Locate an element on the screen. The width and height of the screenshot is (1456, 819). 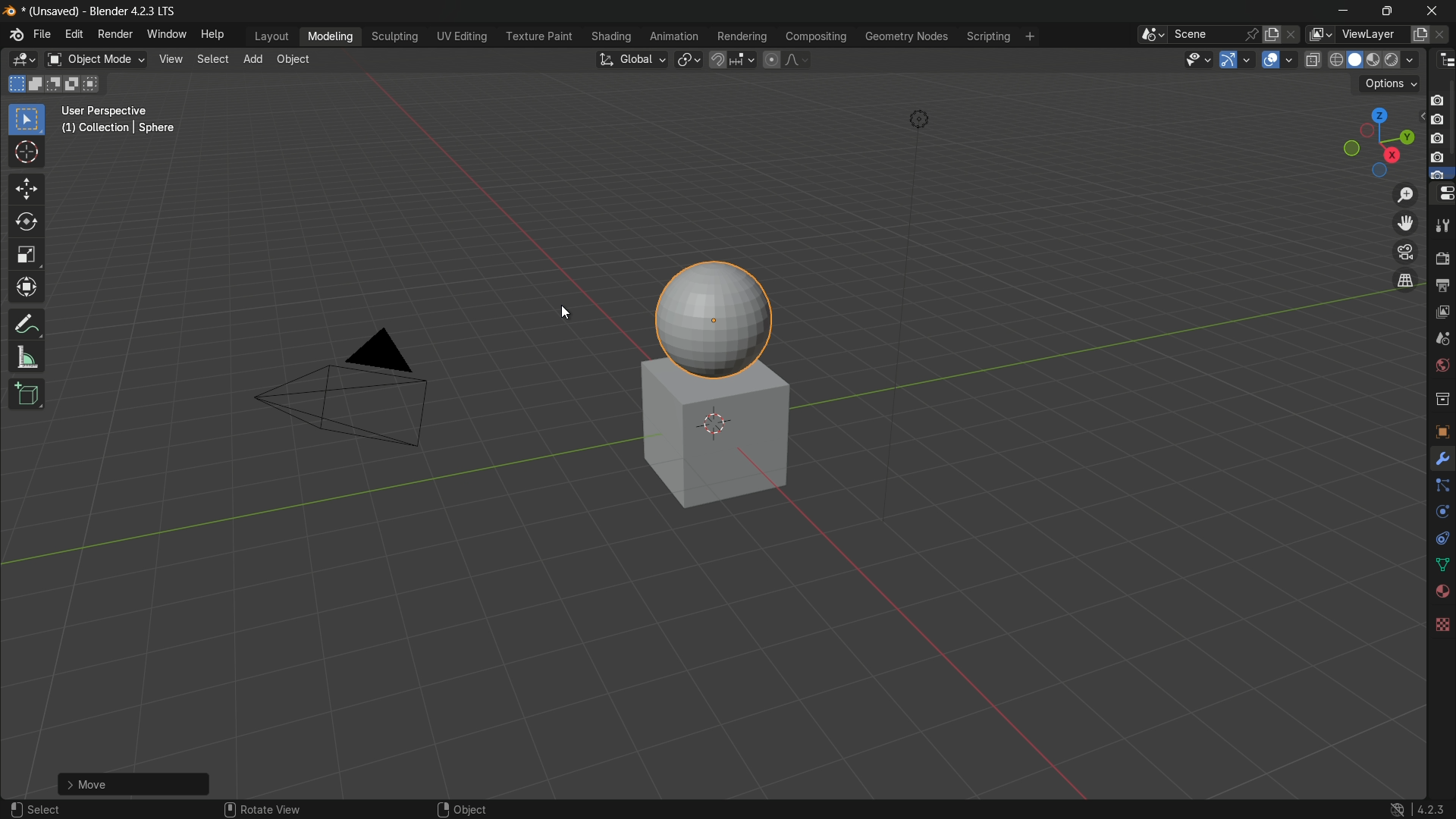
toggle the camera view is located at coordinates (1405, 252).